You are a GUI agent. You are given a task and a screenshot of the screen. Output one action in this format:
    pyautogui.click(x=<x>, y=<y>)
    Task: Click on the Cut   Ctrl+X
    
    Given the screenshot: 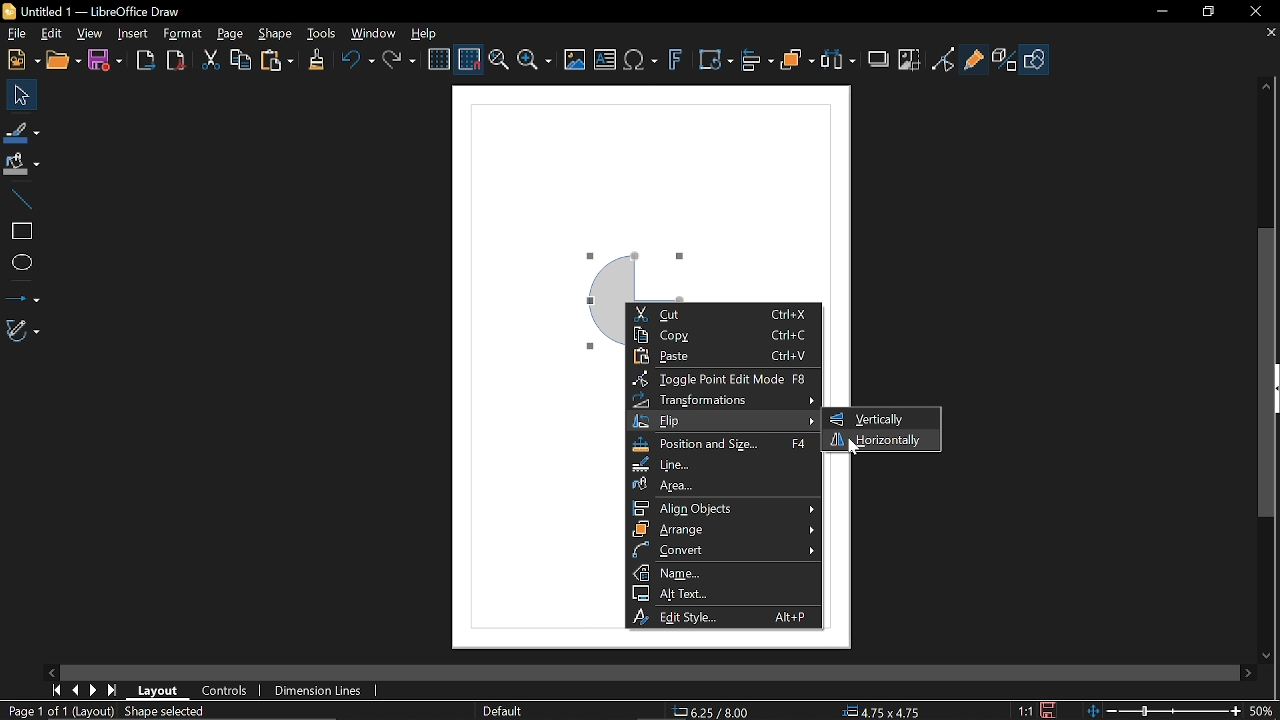 What is the action you would take?
    pyautogui.click(x=722, y=314)
    